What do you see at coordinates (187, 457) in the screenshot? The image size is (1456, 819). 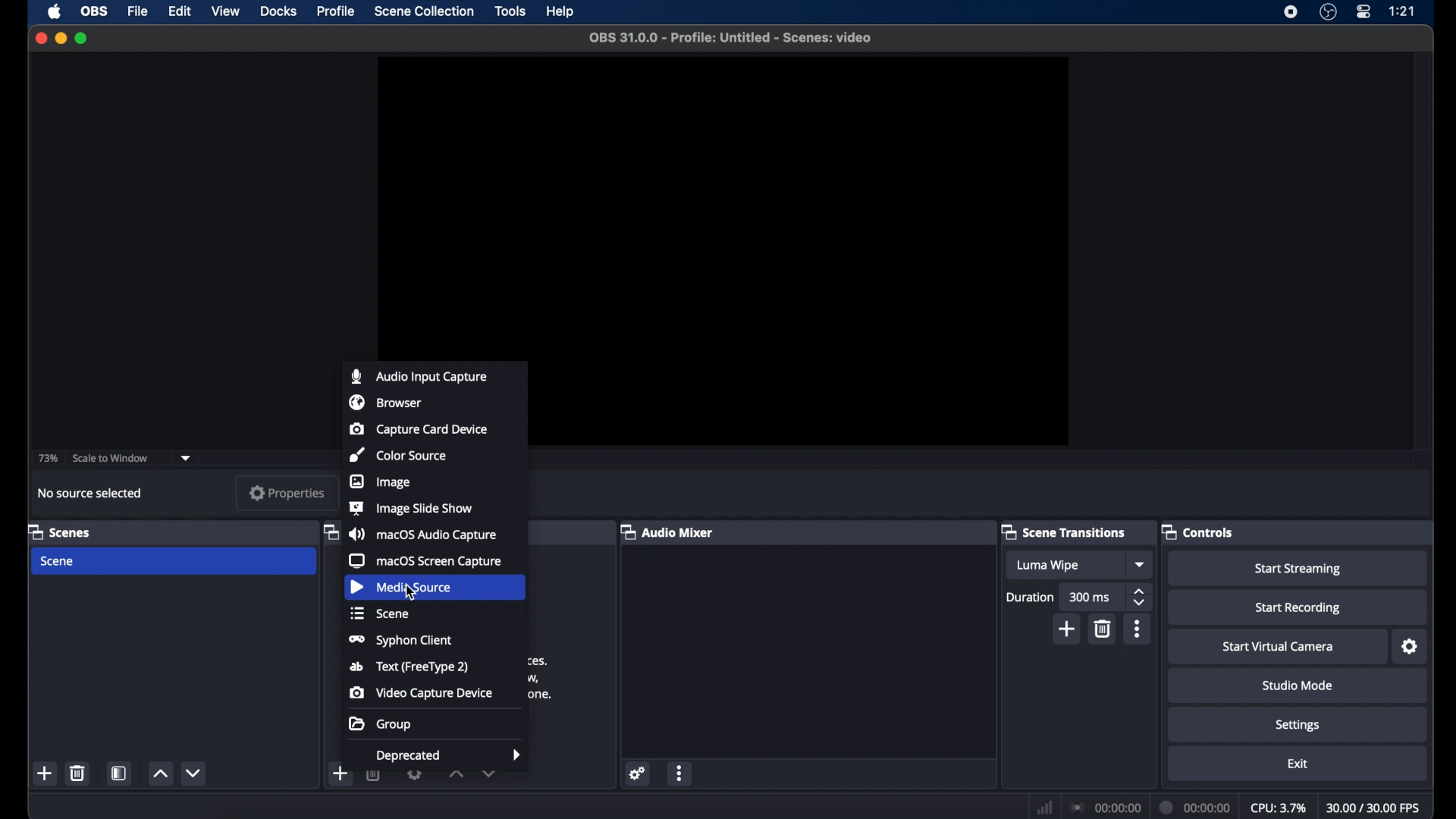 I see `dropdown` at bounding box center [187, 457].